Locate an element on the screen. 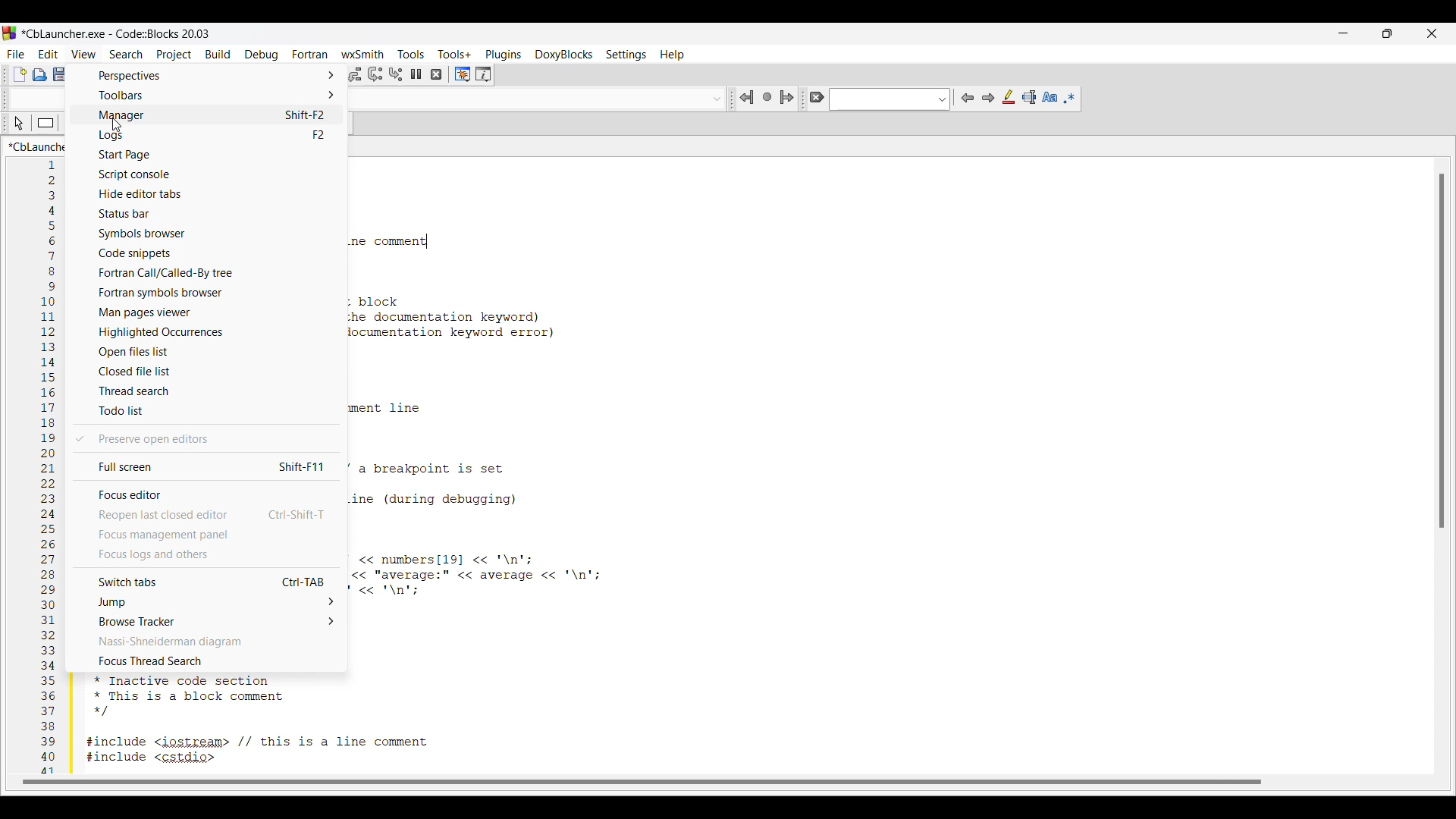 The height and width of the screenshot is (819, 1456). Toolbar options is located at coordinates (205, 95).